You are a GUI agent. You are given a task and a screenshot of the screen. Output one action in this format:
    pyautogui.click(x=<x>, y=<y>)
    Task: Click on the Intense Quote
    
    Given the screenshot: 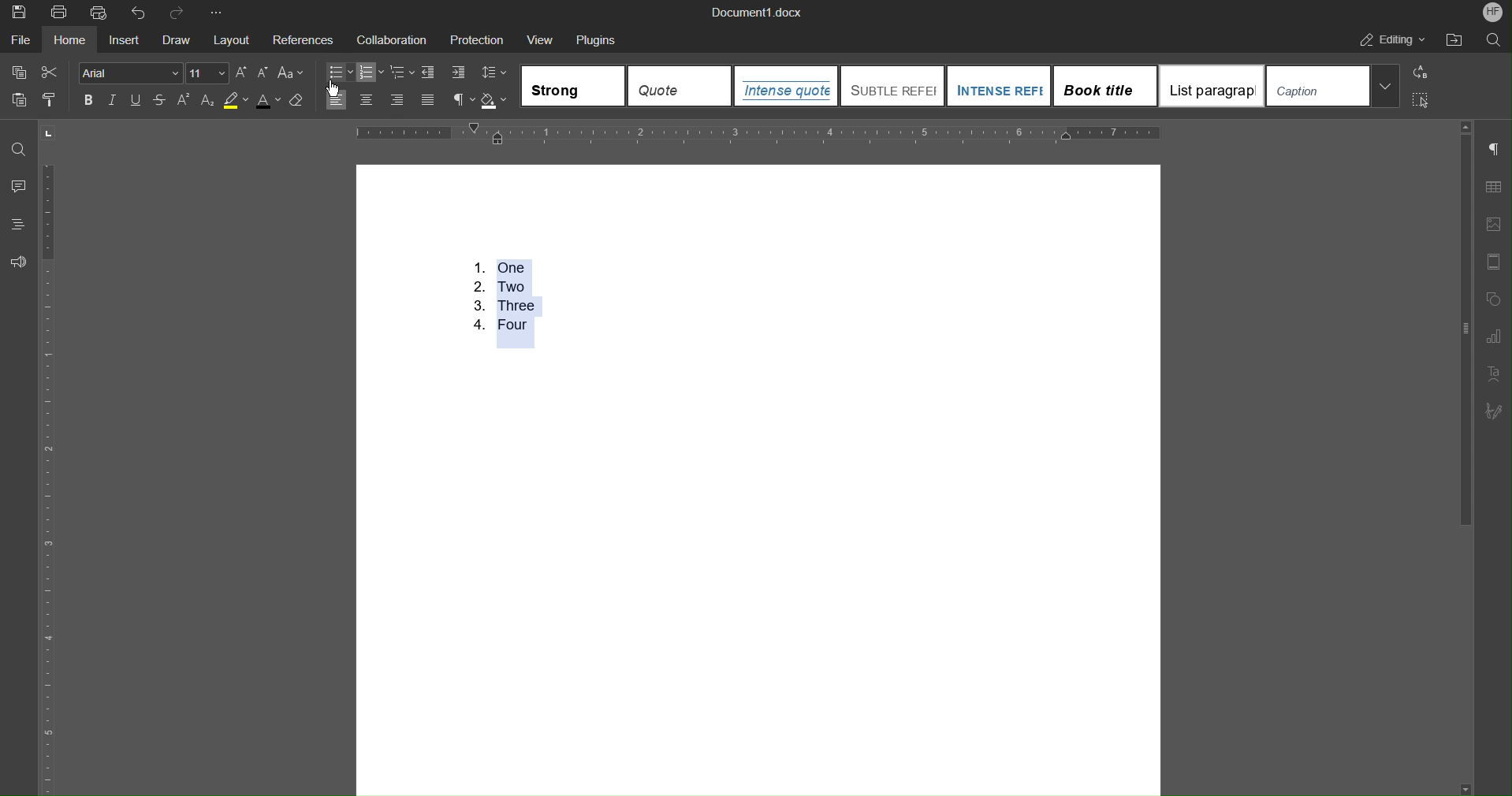 What is the action you would take?
    pyautogui.click(x=788, y=86)
    